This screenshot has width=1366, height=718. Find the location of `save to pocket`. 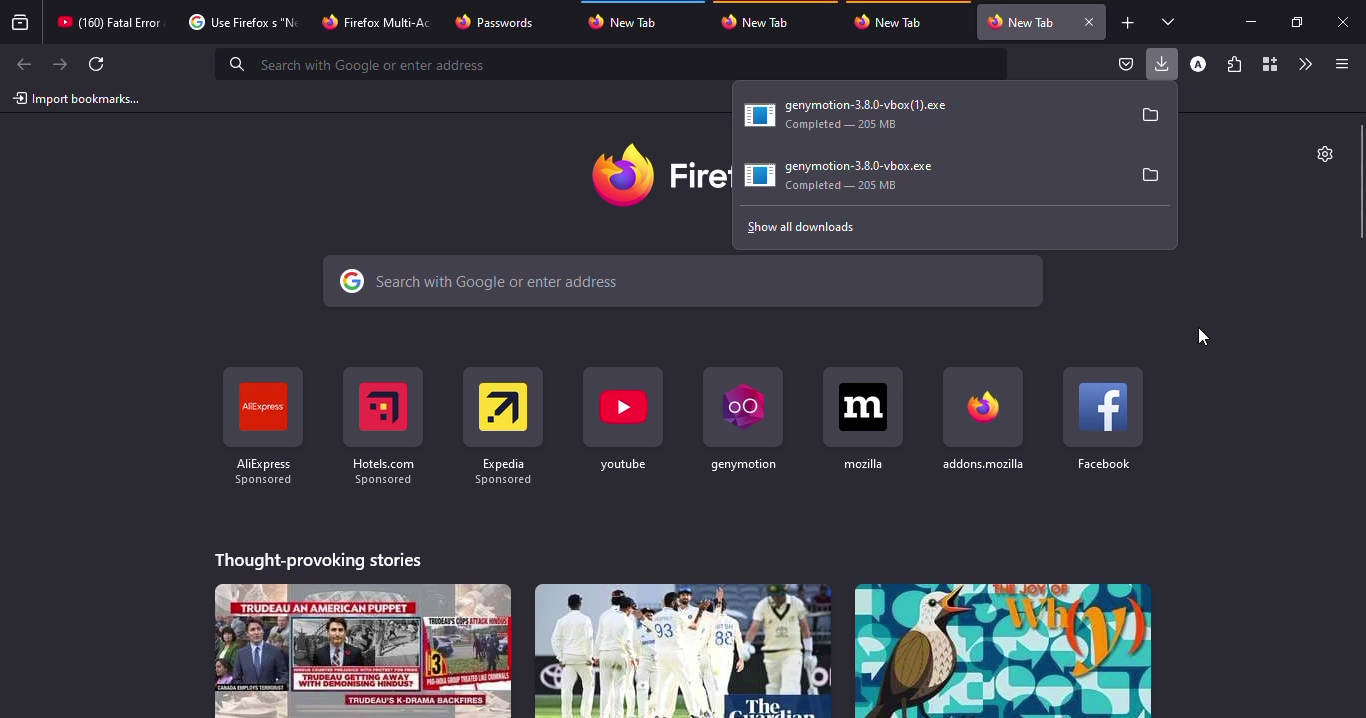

save to pocket is located at coordinates (1126, 65).